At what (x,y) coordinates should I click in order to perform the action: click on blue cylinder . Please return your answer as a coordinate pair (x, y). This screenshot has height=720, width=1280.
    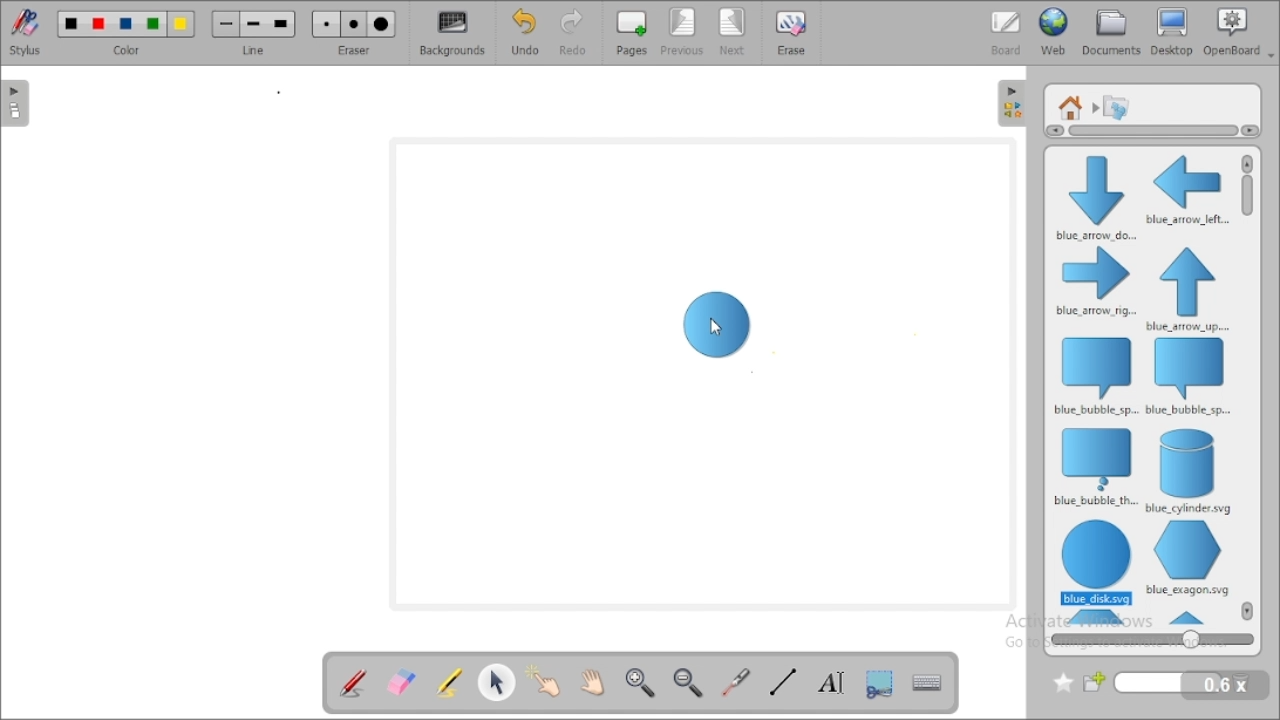
    Looking at the image, I should click on (1190, 471).